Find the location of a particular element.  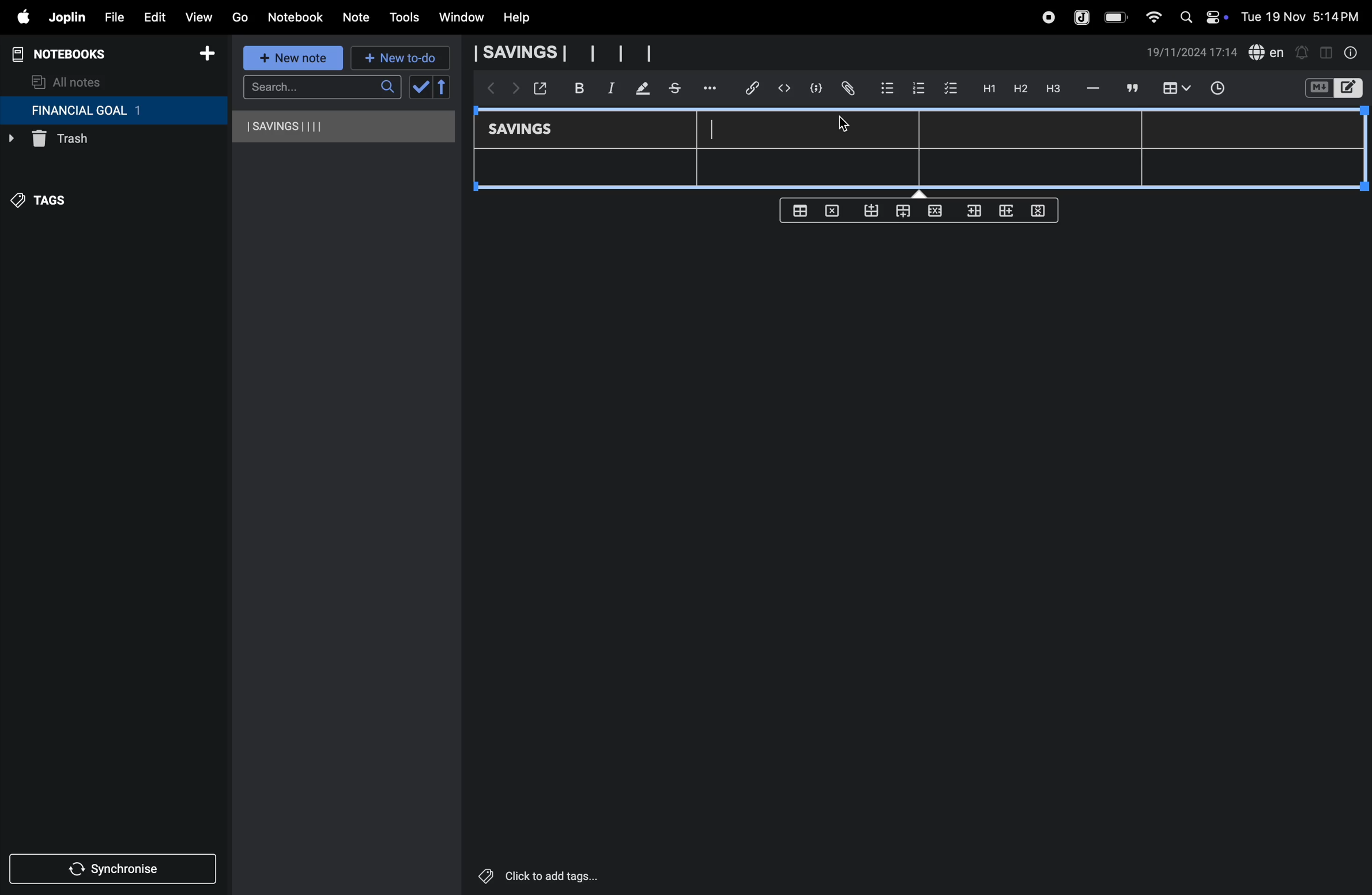

close rows is located at coordinates (933, 213).